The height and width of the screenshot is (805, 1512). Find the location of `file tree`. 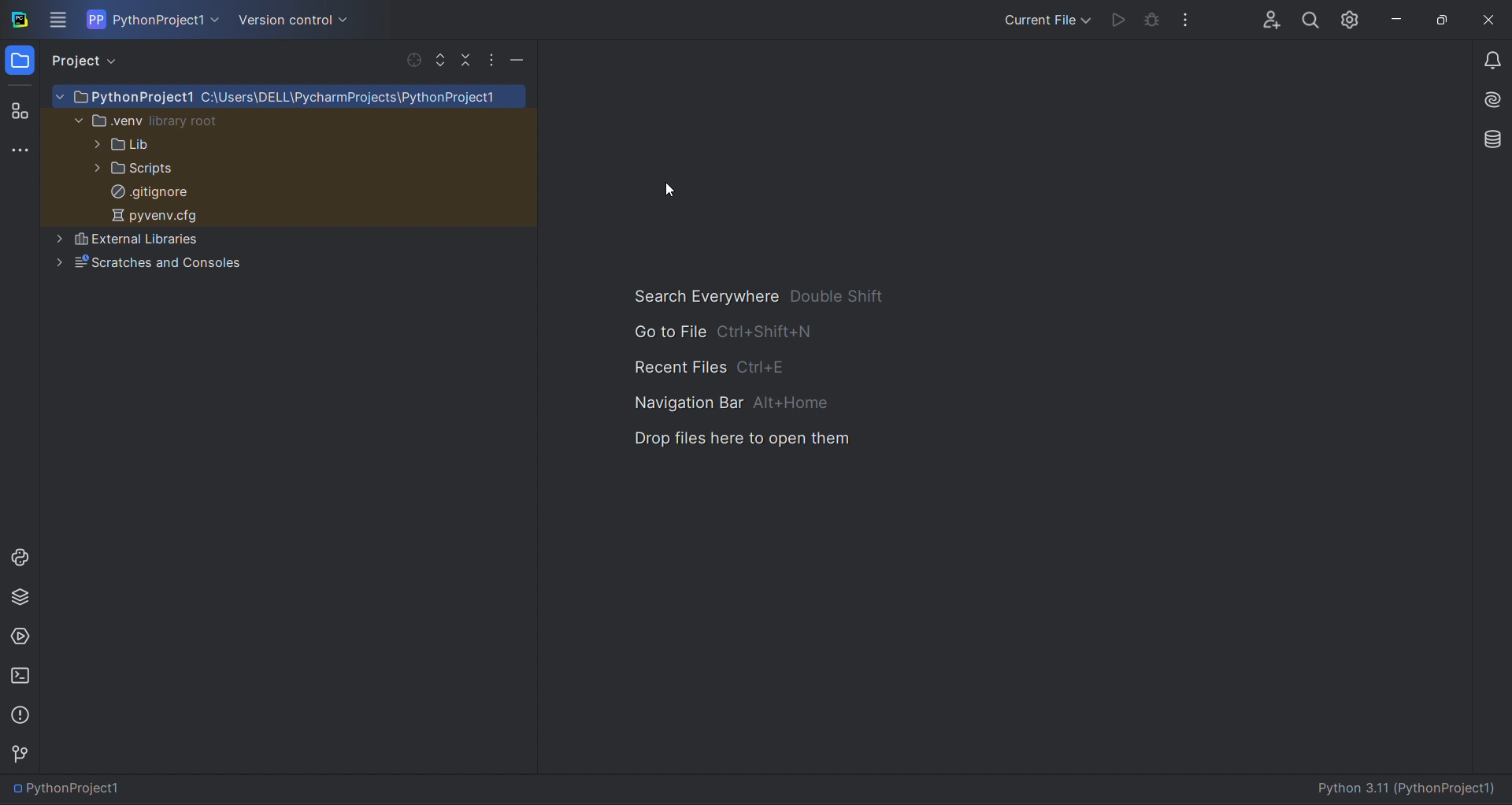

file tree is located at coordinates (290, 186).